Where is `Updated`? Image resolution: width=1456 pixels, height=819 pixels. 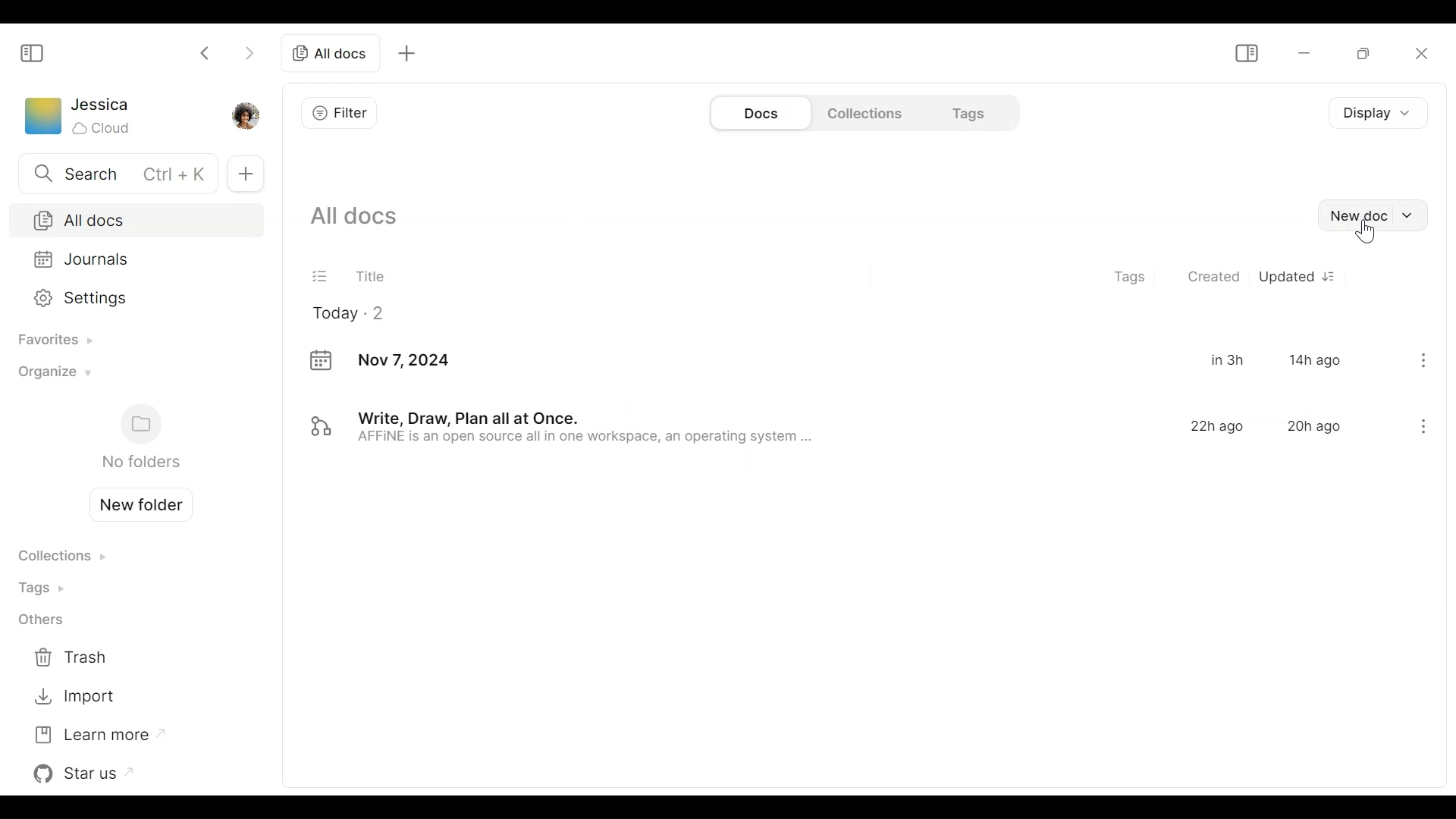
Updated is located at coordinates (1285, 278).